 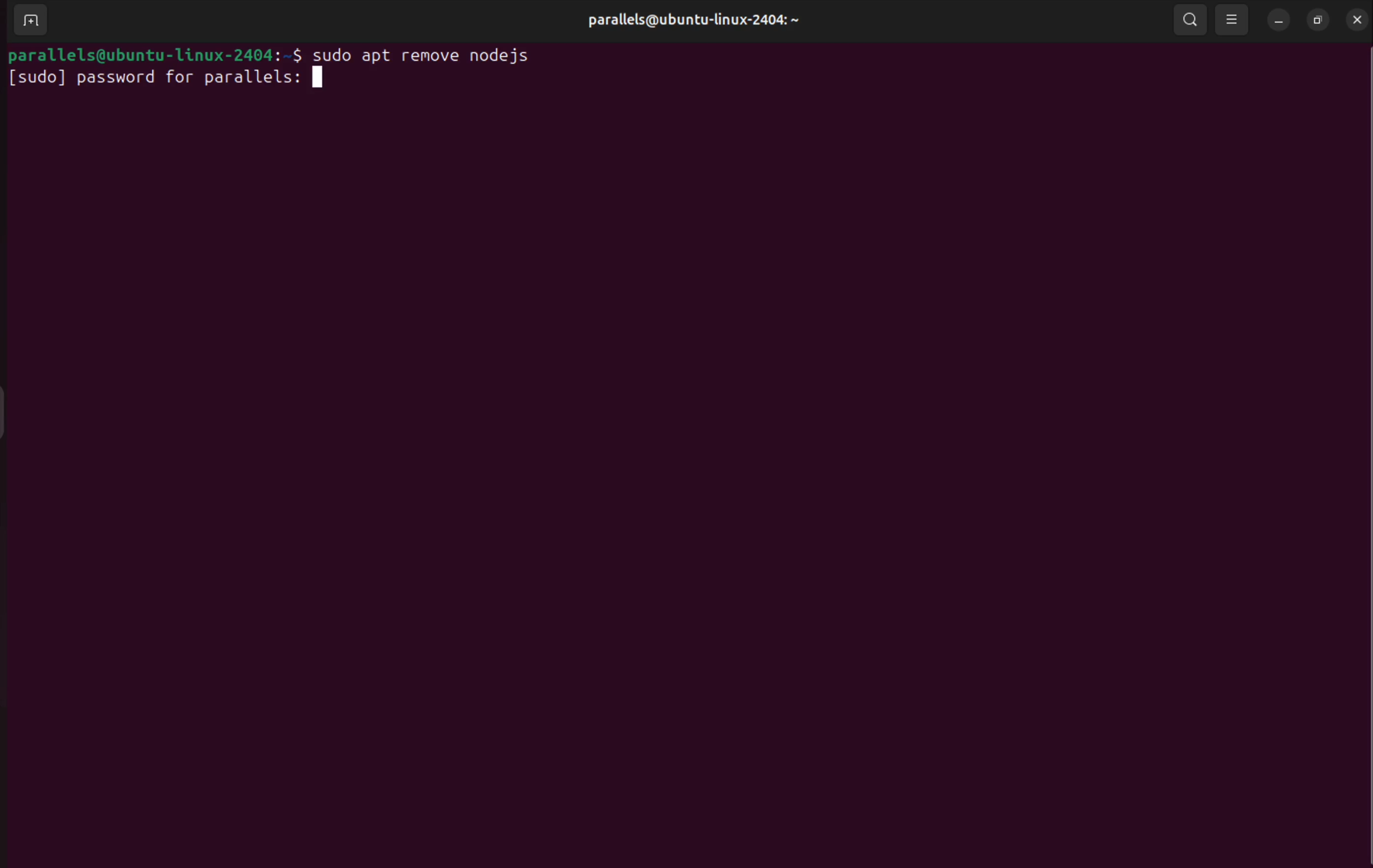 I want to click on search, so click(x=1191, y=20).